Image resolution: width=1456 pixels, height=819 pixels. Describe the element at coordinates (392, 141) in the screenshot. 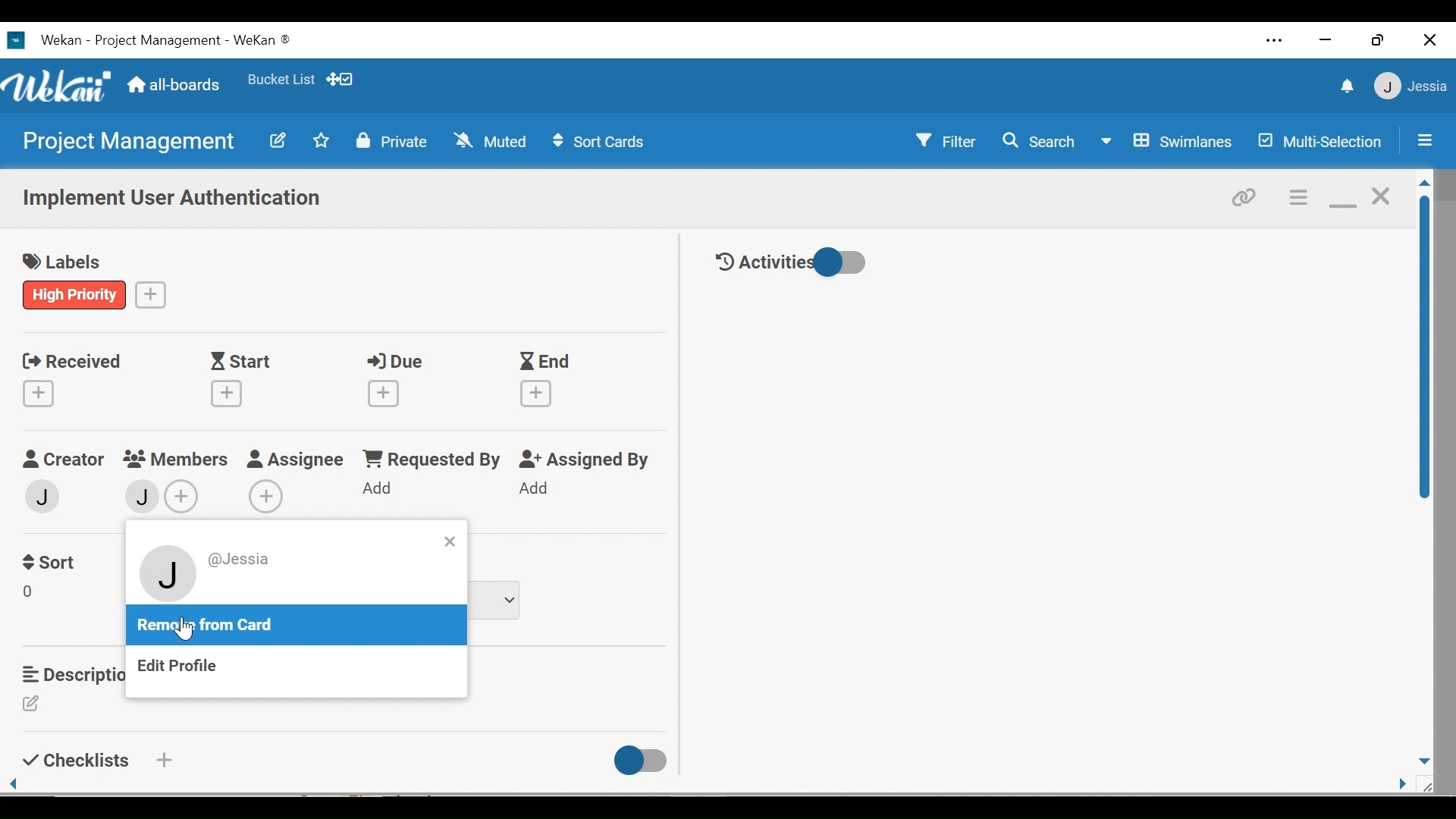

I see `Private` at that location.